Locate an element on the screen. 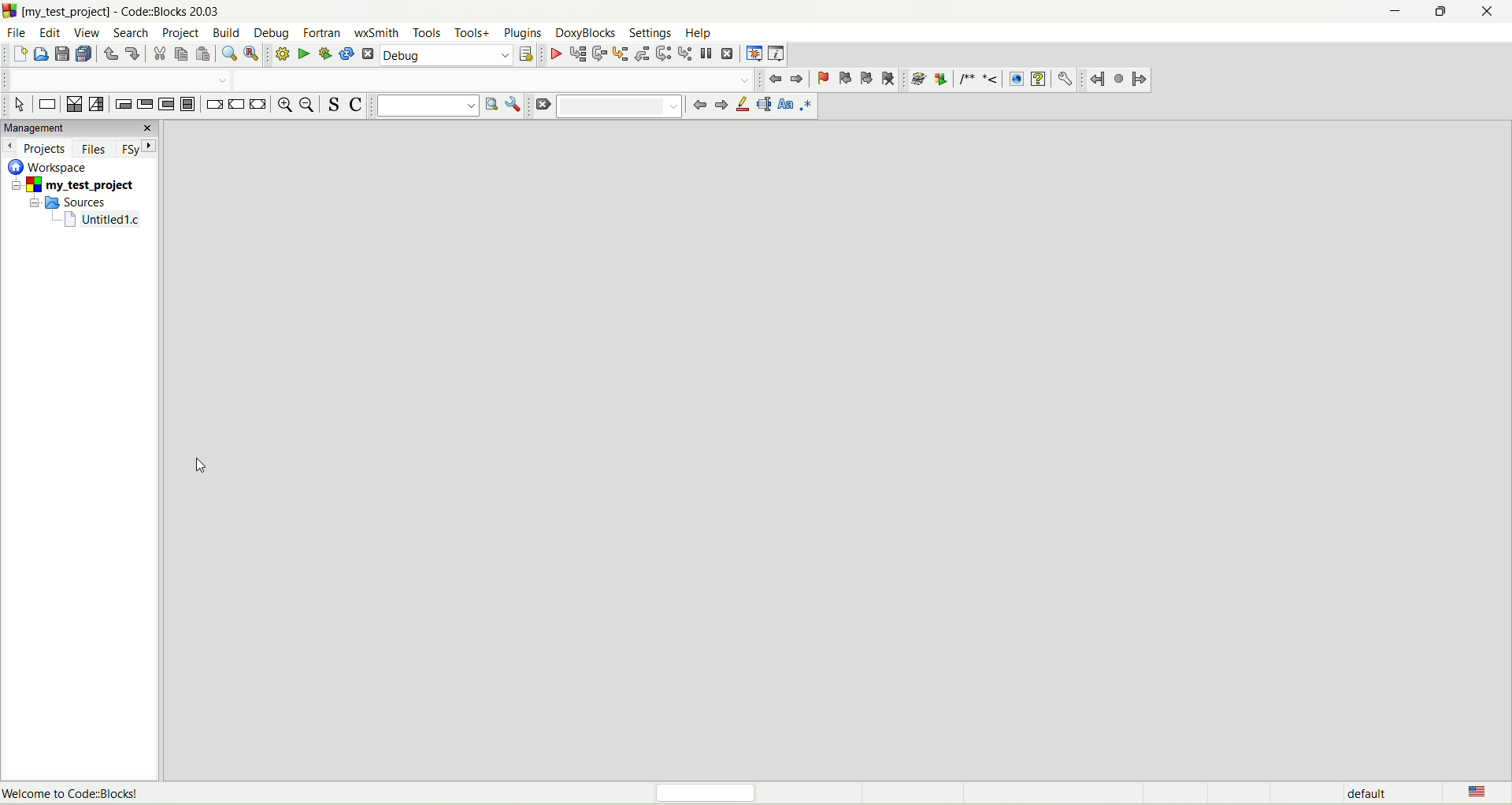 The height and width of the screenshot is (805, 1512). regex is located at coordinates (810, 106).